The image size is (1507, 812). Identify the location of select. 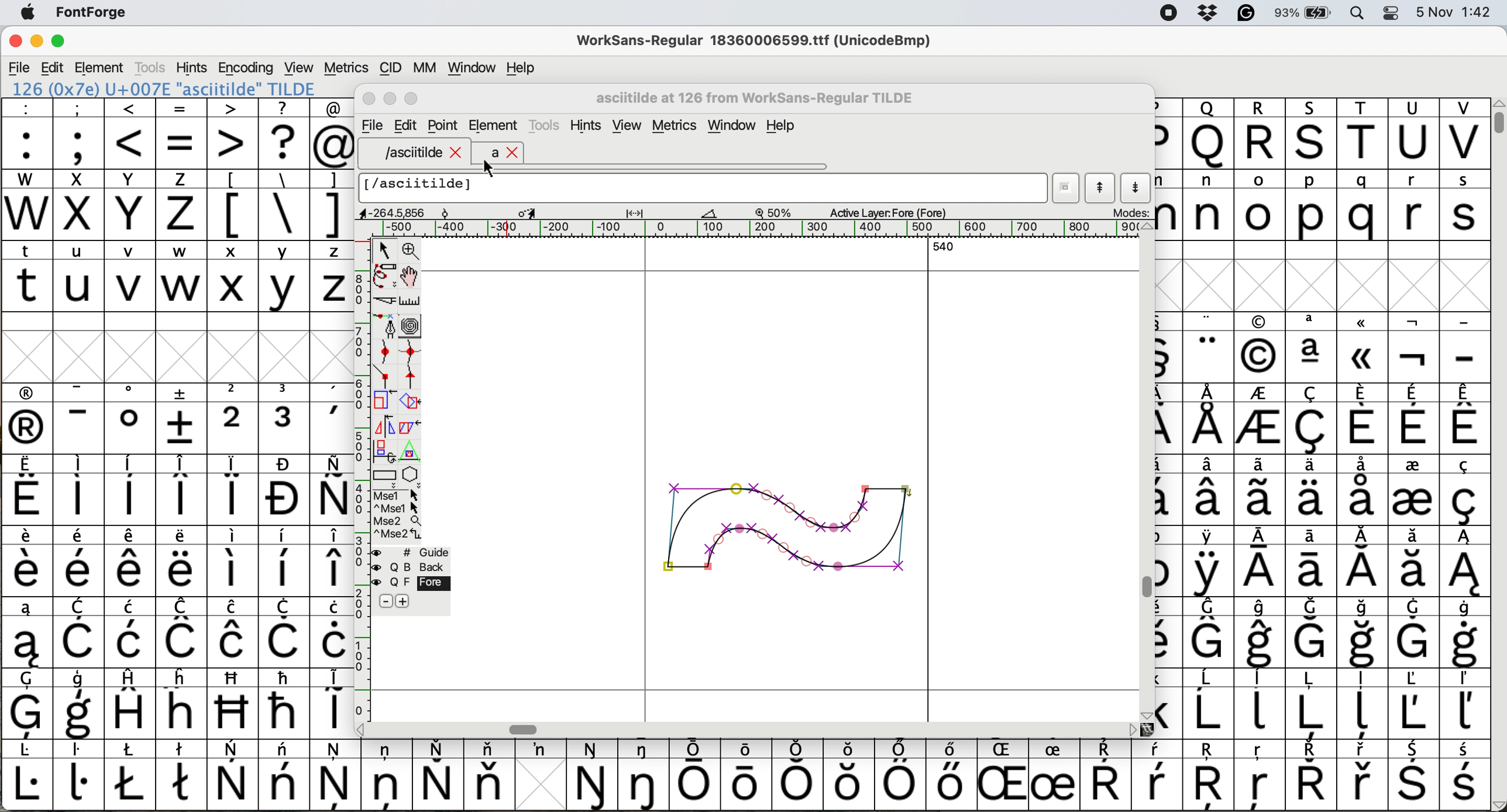
(386, 248).